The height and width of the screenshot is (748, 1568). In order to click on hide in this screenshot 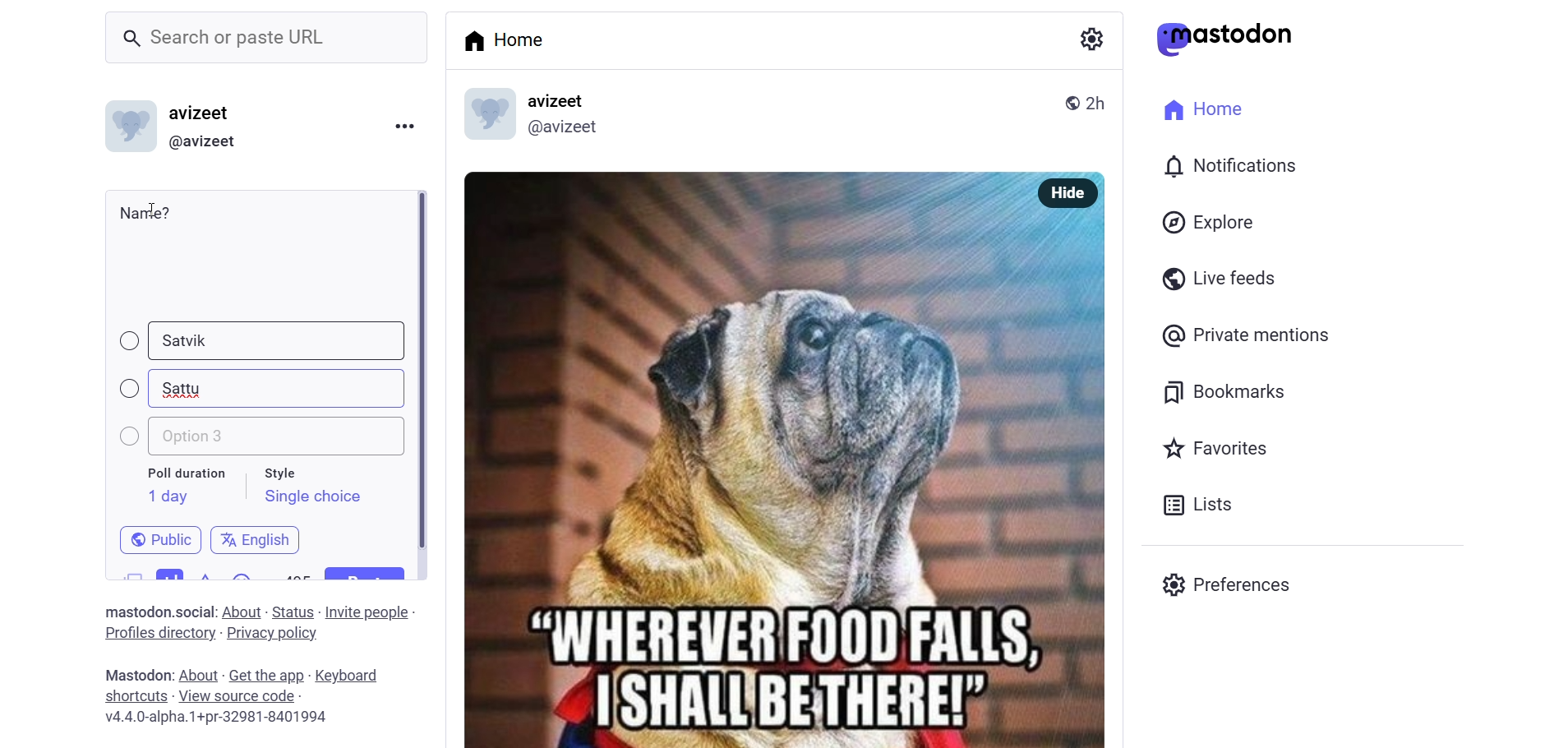, I will do `click(1063, 193)`.